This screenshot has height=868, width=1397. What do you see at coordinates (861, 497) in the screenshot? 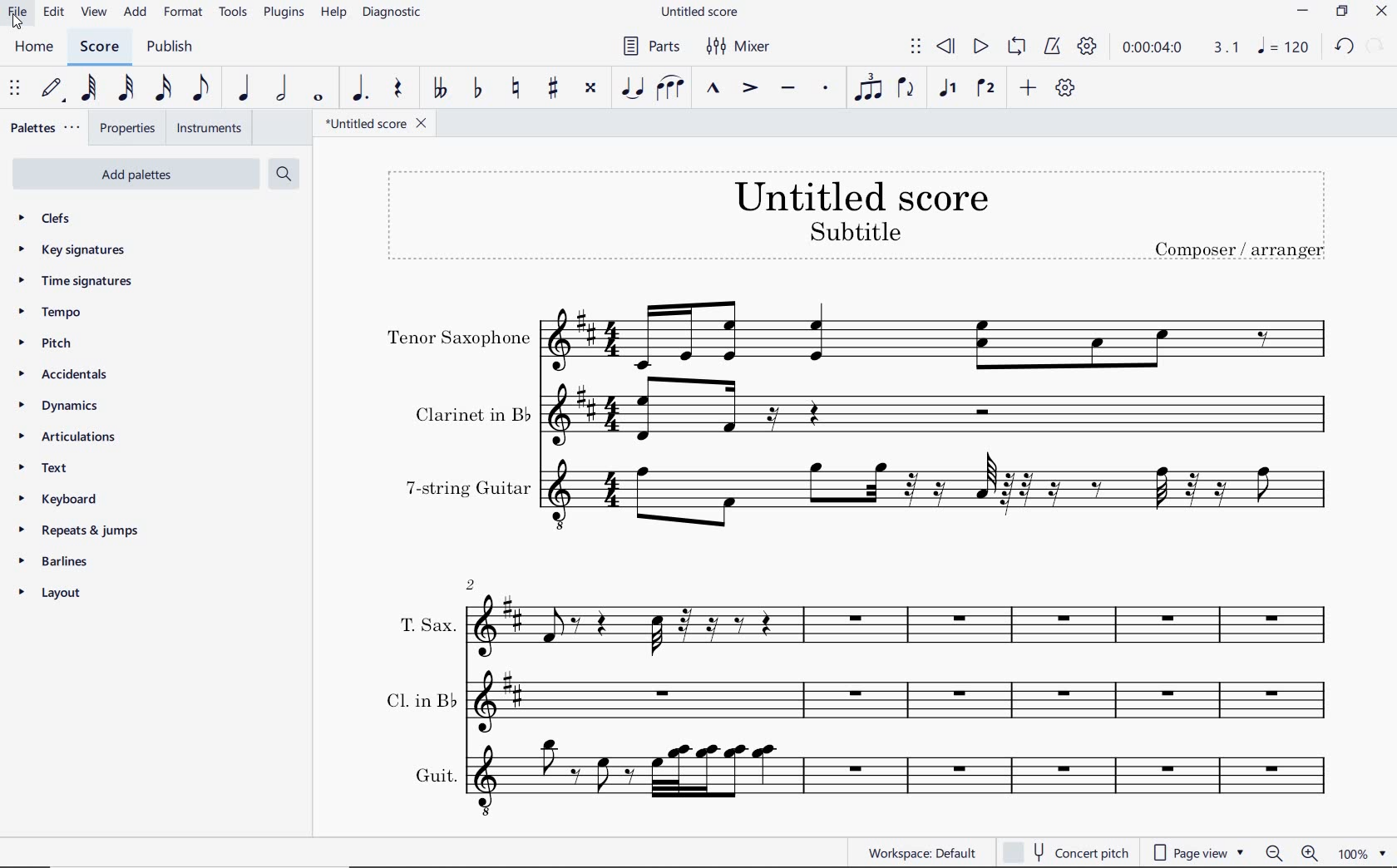
I see `7-string guitar` at bounding box center [861, 497].